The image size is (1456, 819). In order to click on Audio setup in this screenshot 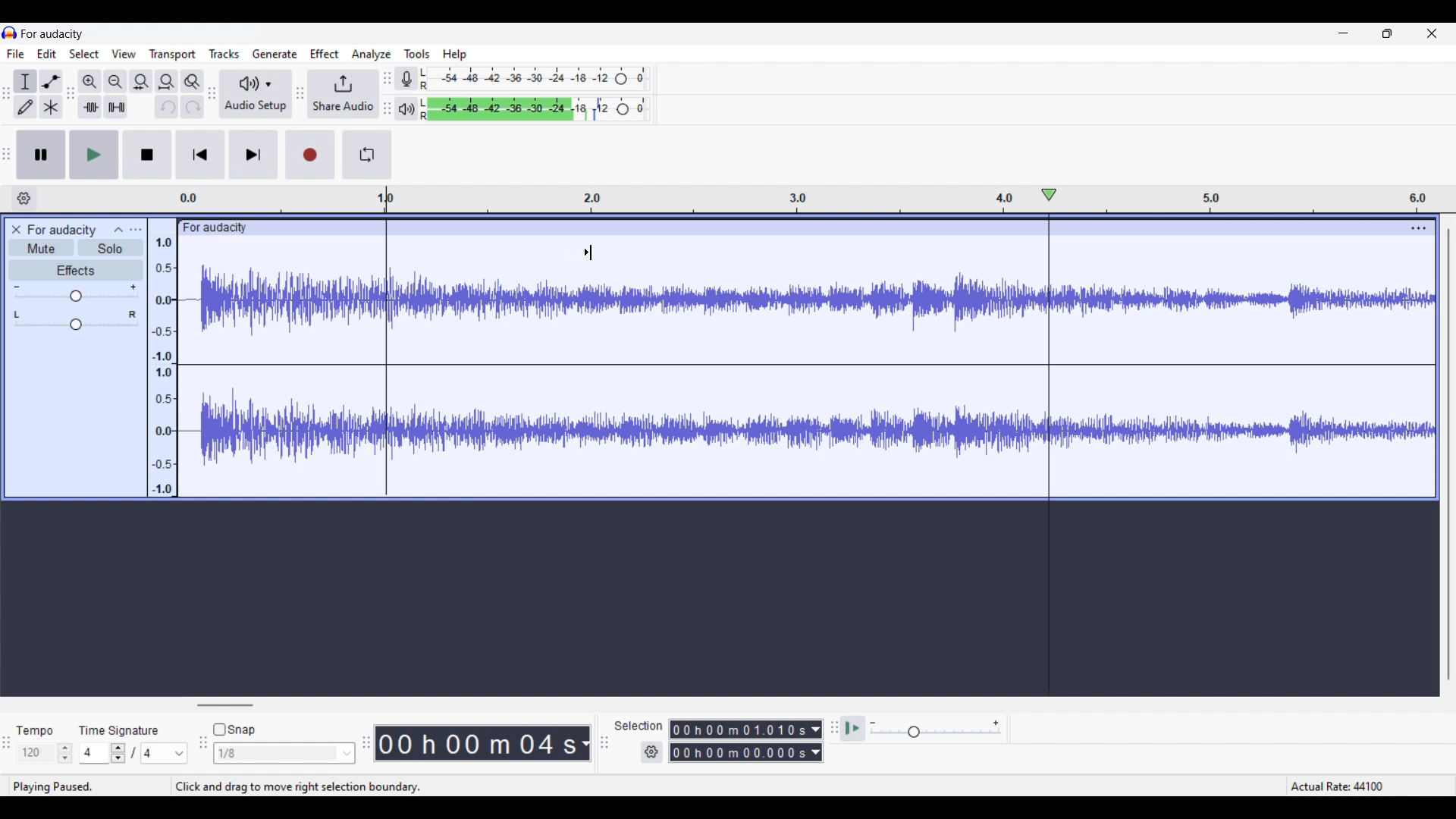, I will do `click(256, 93)`.